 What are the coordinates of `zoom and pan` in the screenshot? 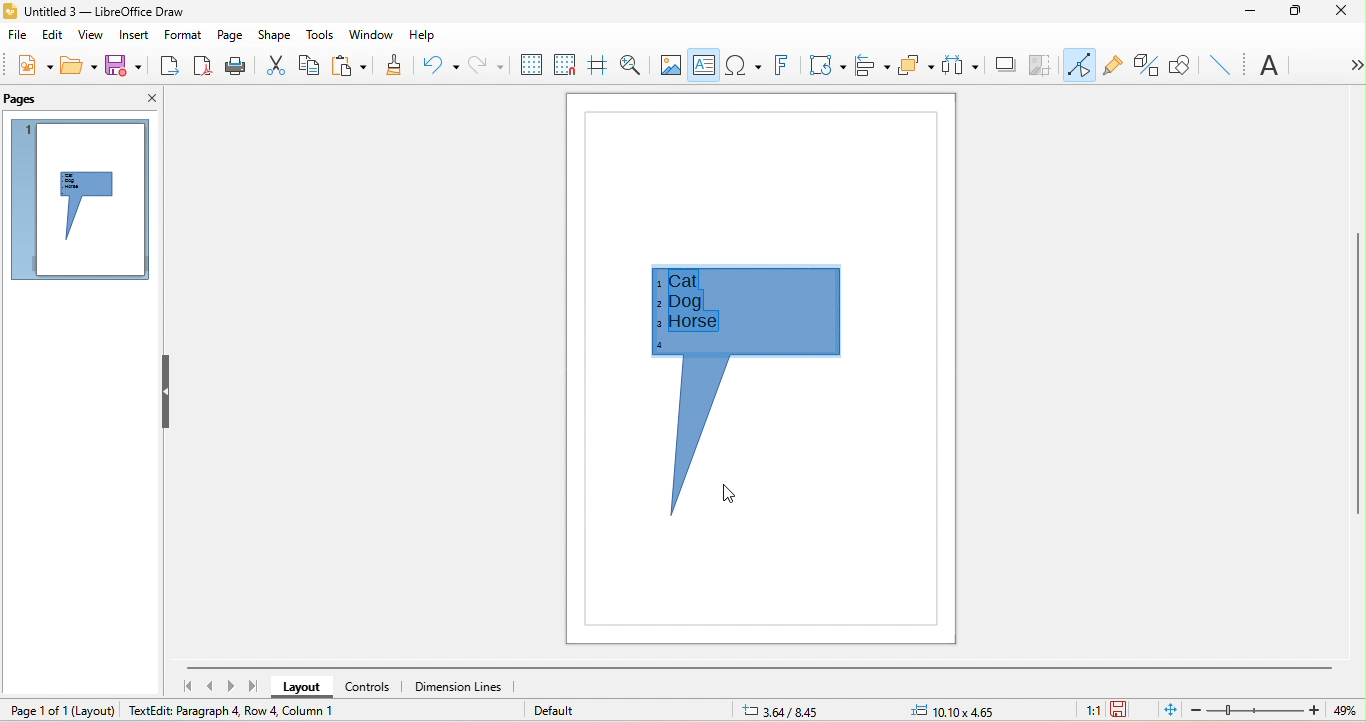 It's located at (634, 66).